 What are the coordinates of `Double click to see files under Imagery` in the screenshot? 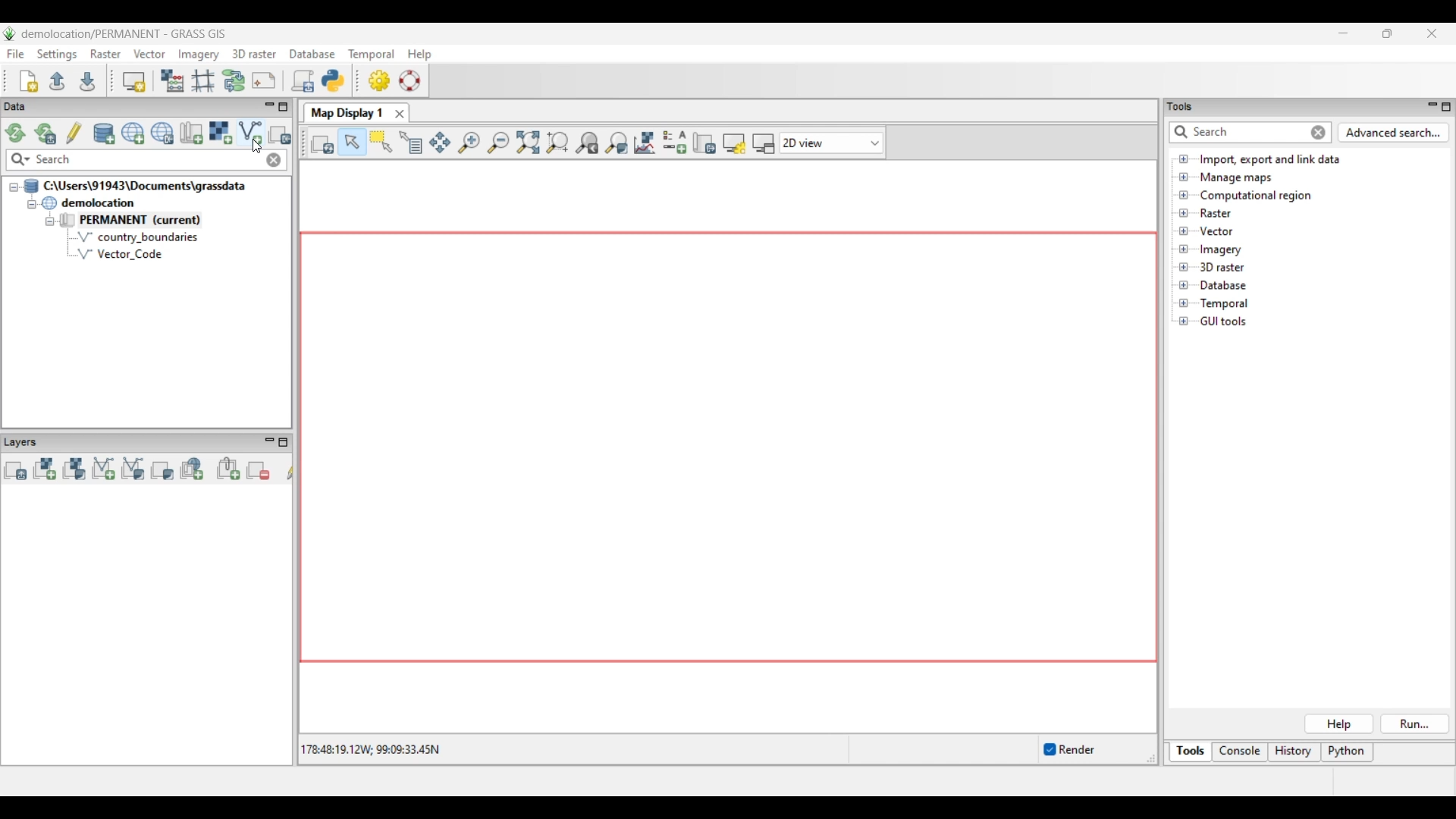 It's located at (1220, 250).